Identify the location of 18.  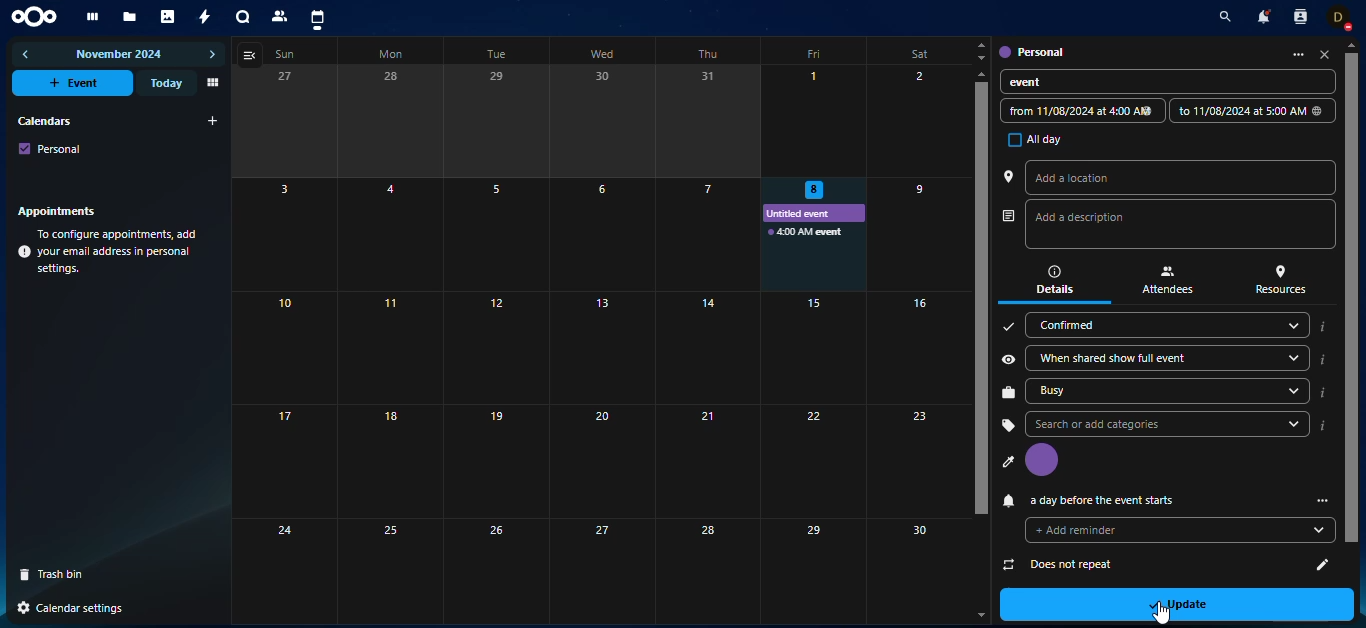
(387, 461).